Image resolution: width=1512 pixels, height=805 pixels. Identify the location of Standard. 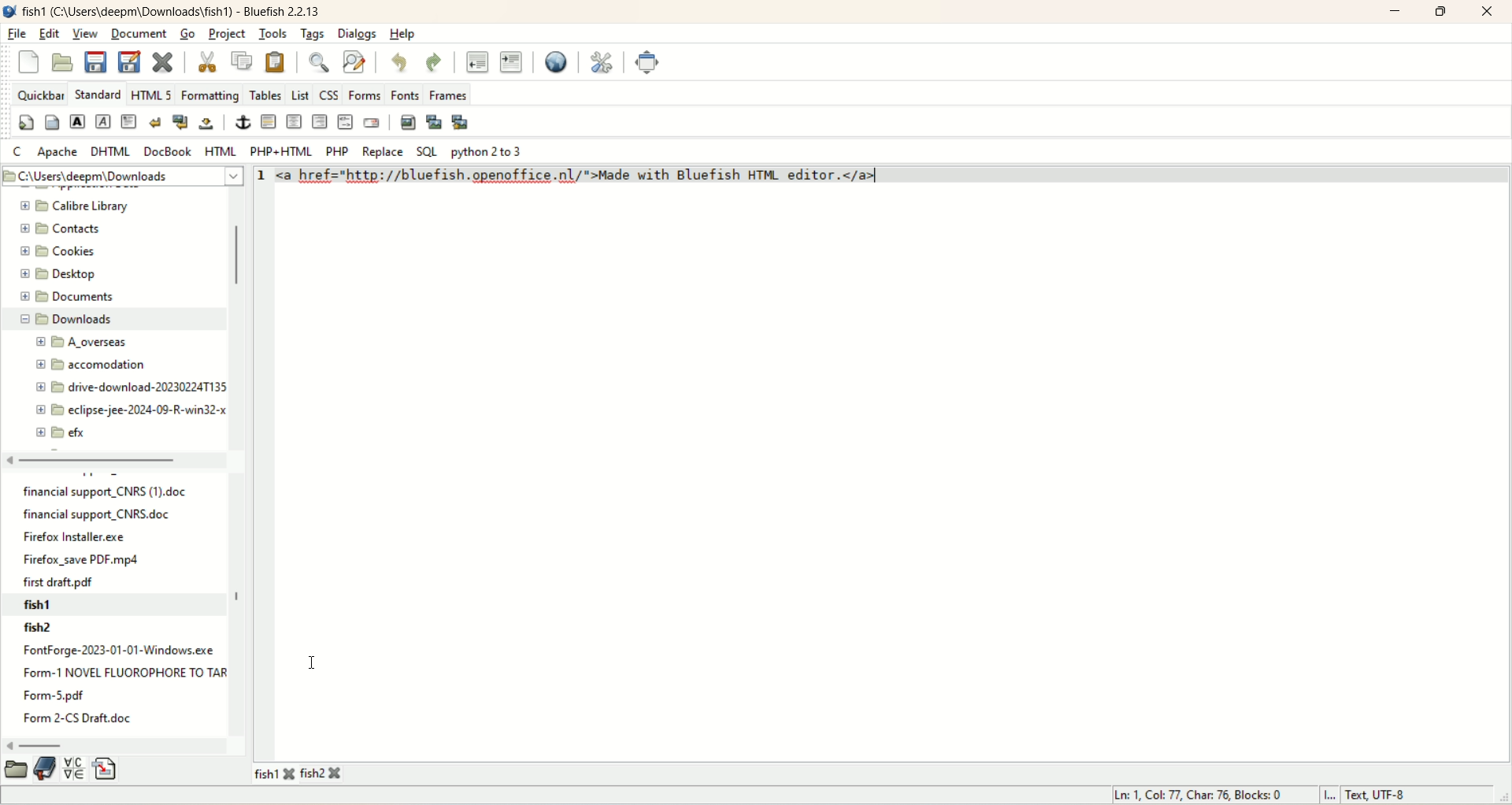
(97, 93).